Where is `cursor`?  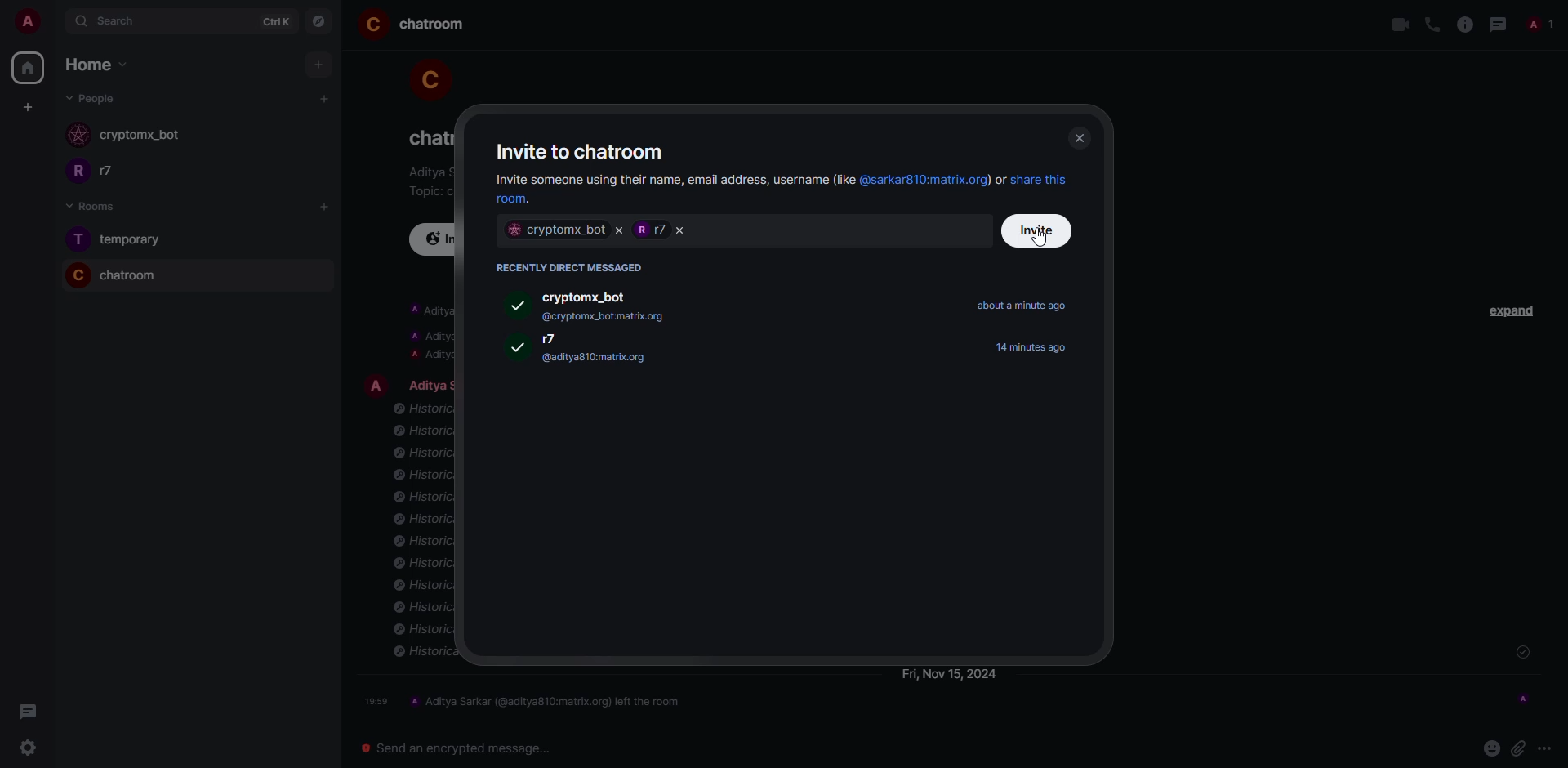 cursor is located at coordinates (1040, 239).